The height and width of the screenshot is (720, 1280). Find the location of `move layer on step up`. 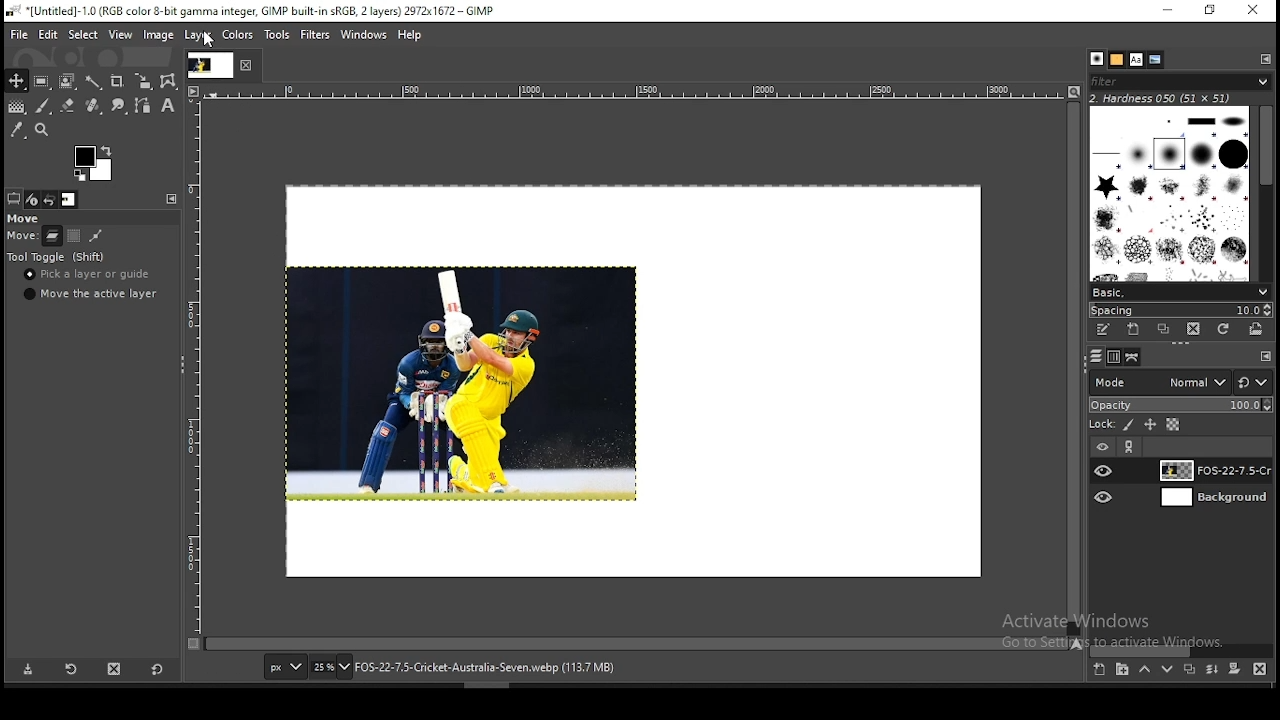

move layer on step up is located at coordinates (1144, 671).